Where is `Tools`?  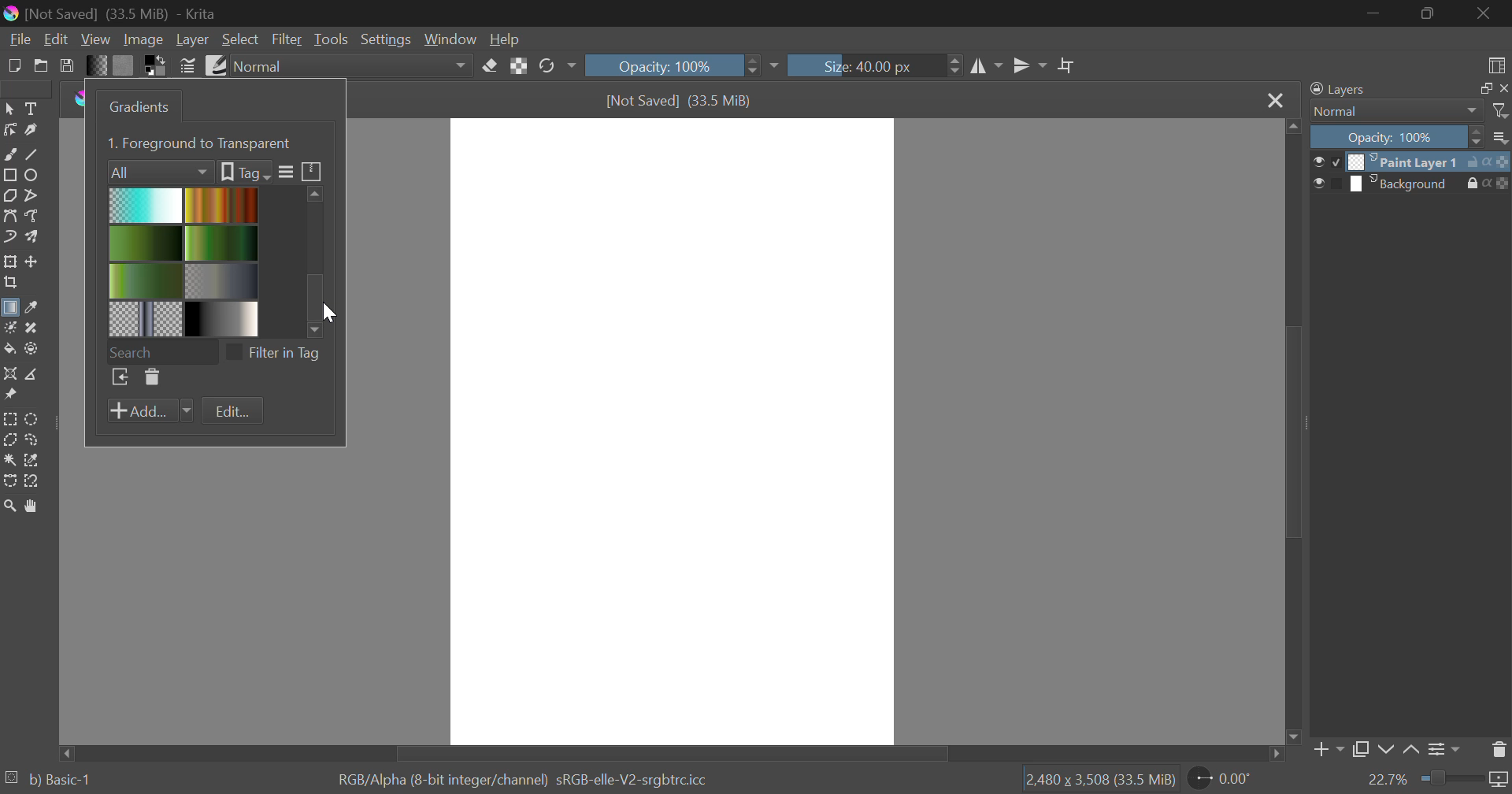 Tools is located at coordinates (331, 39).